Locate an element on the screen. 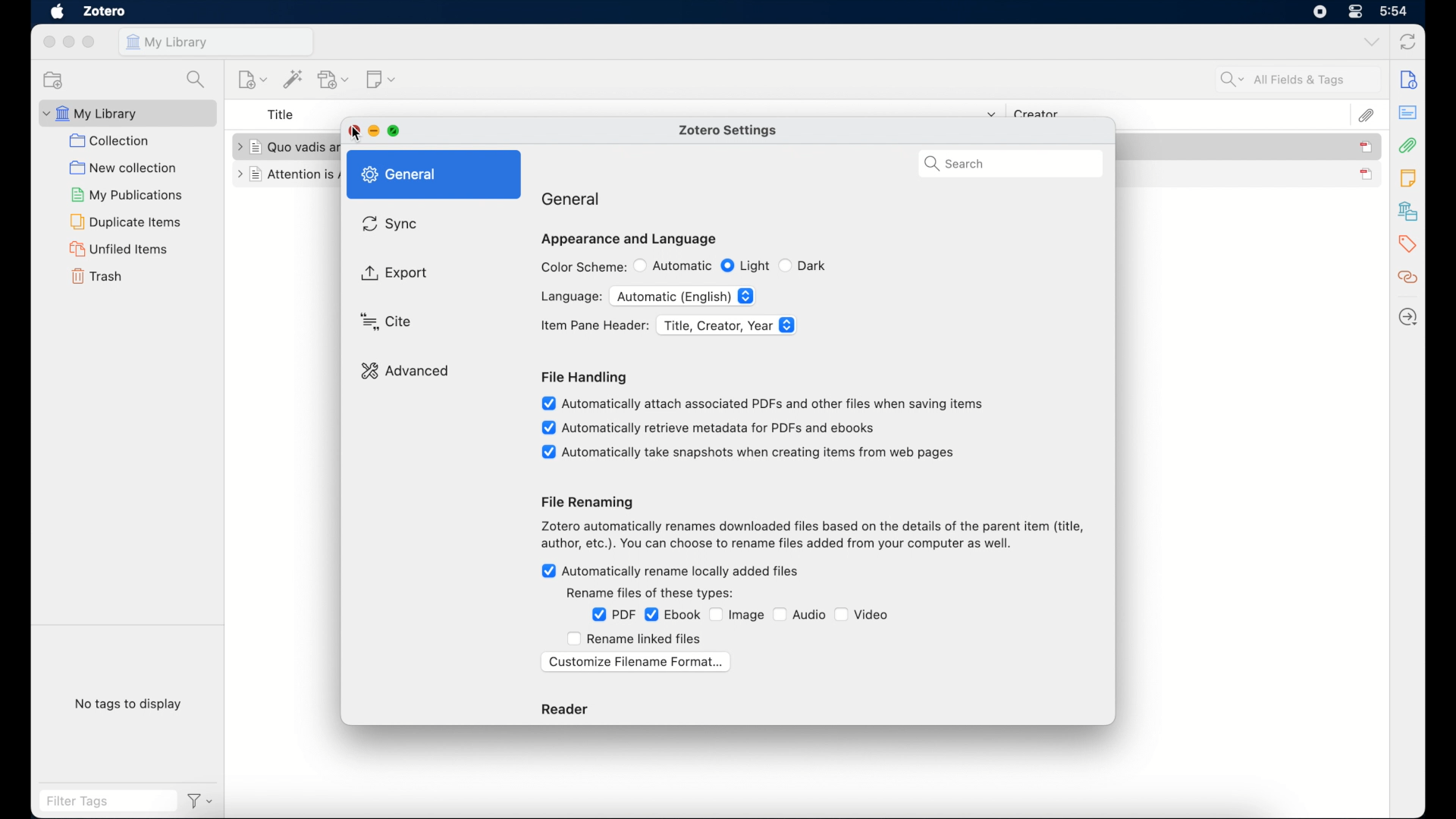 The height and width of the screenshot is (819, 1456). reader is located at coordinates (566, 709).